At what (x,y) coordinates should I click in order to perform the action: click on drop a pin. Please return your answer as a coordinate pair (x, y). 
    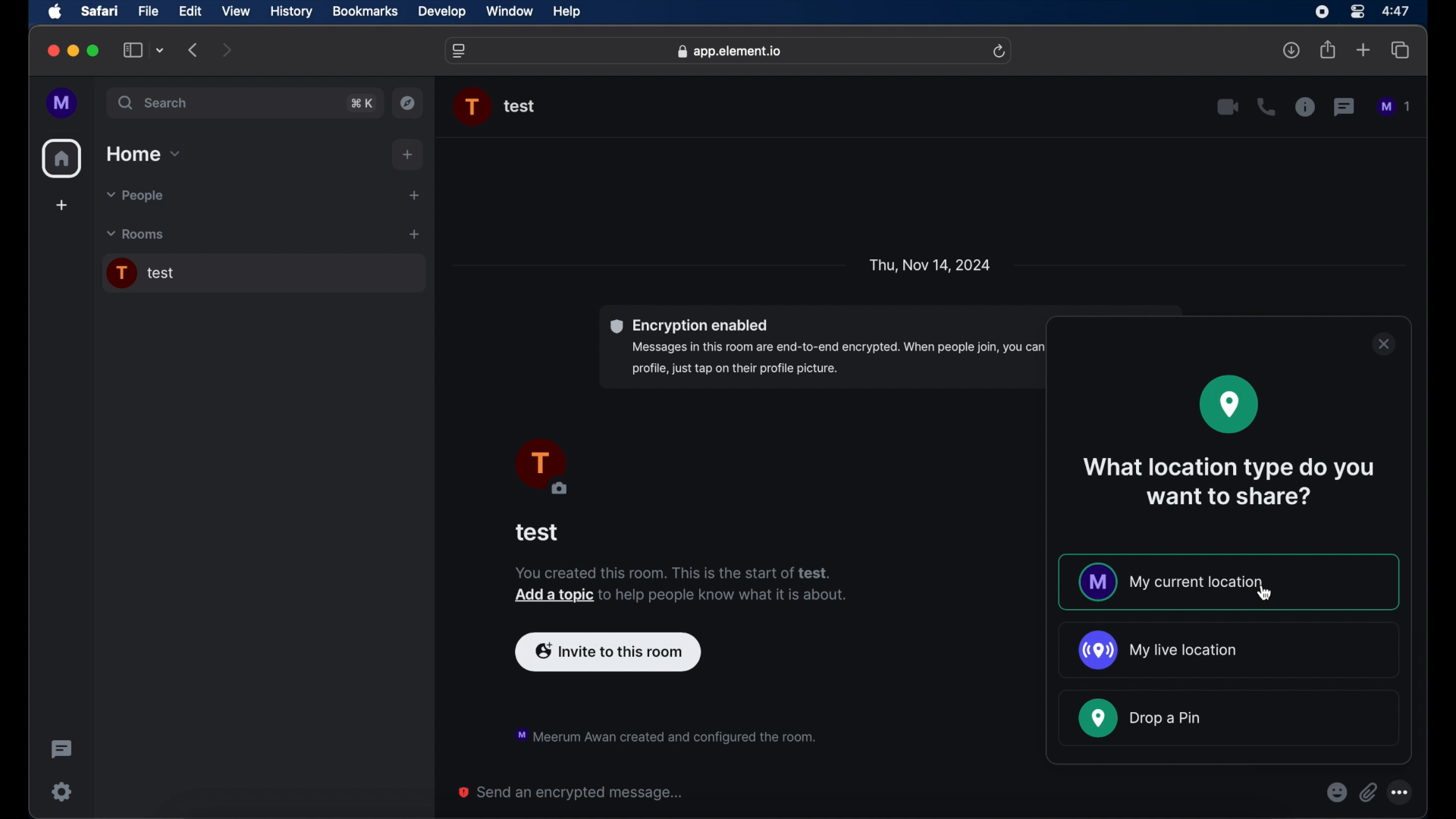
    Looking at the image, I should click on (1141, 718).